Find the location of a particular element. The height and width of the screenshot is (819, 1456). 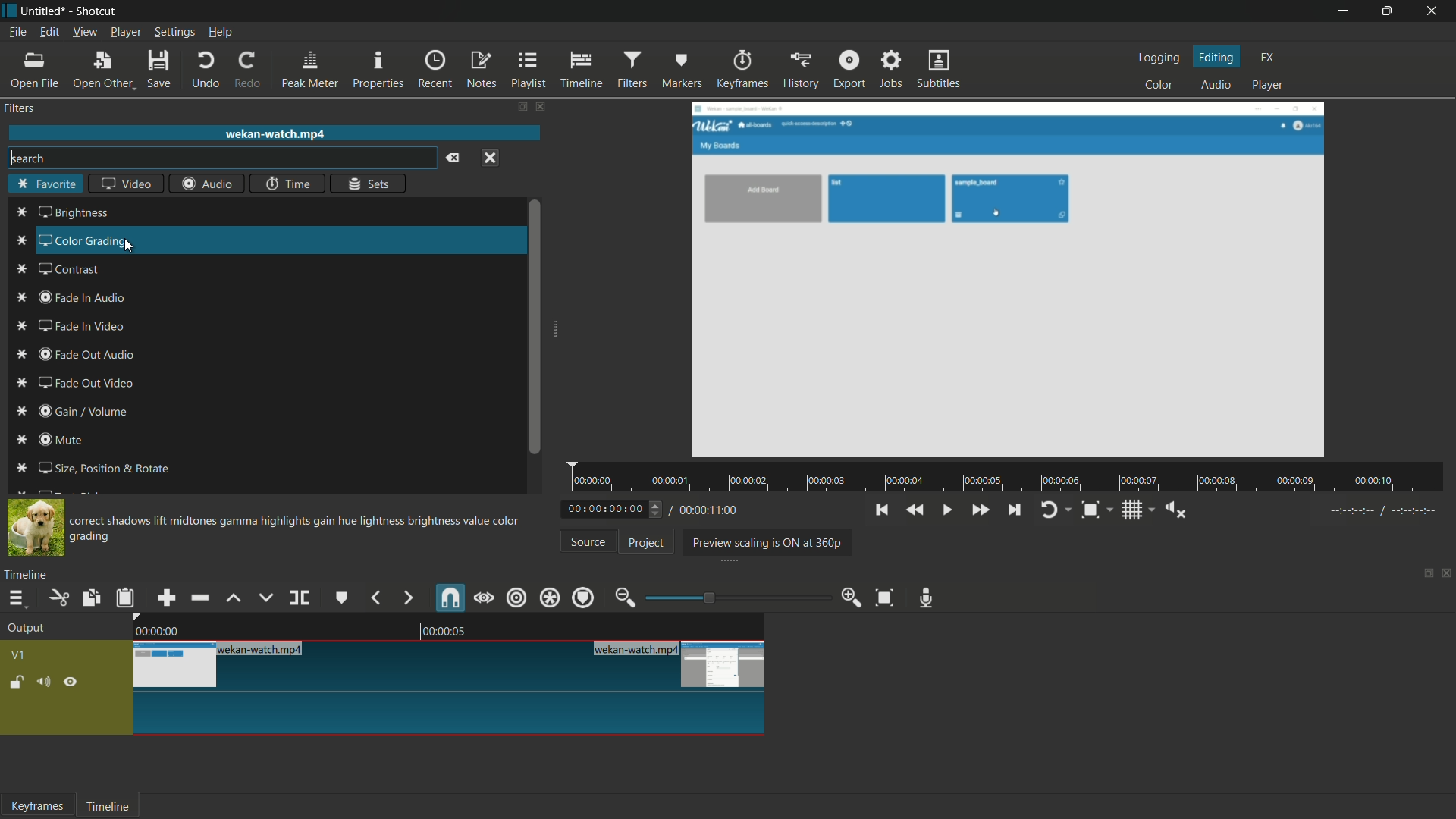

filters is located at coordinates (633, 70).